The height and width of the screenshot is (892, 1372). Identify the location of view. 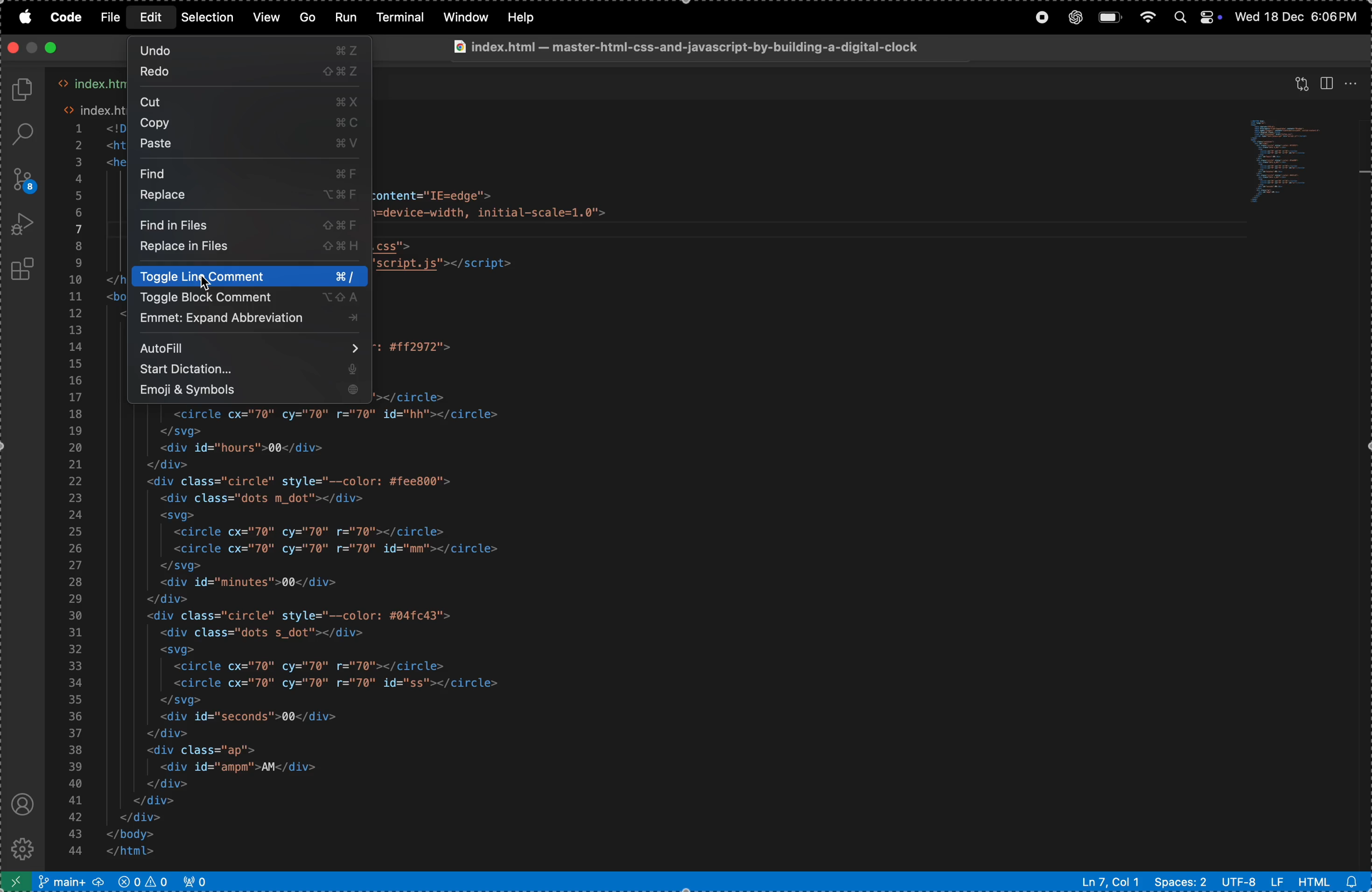
(265, 18).